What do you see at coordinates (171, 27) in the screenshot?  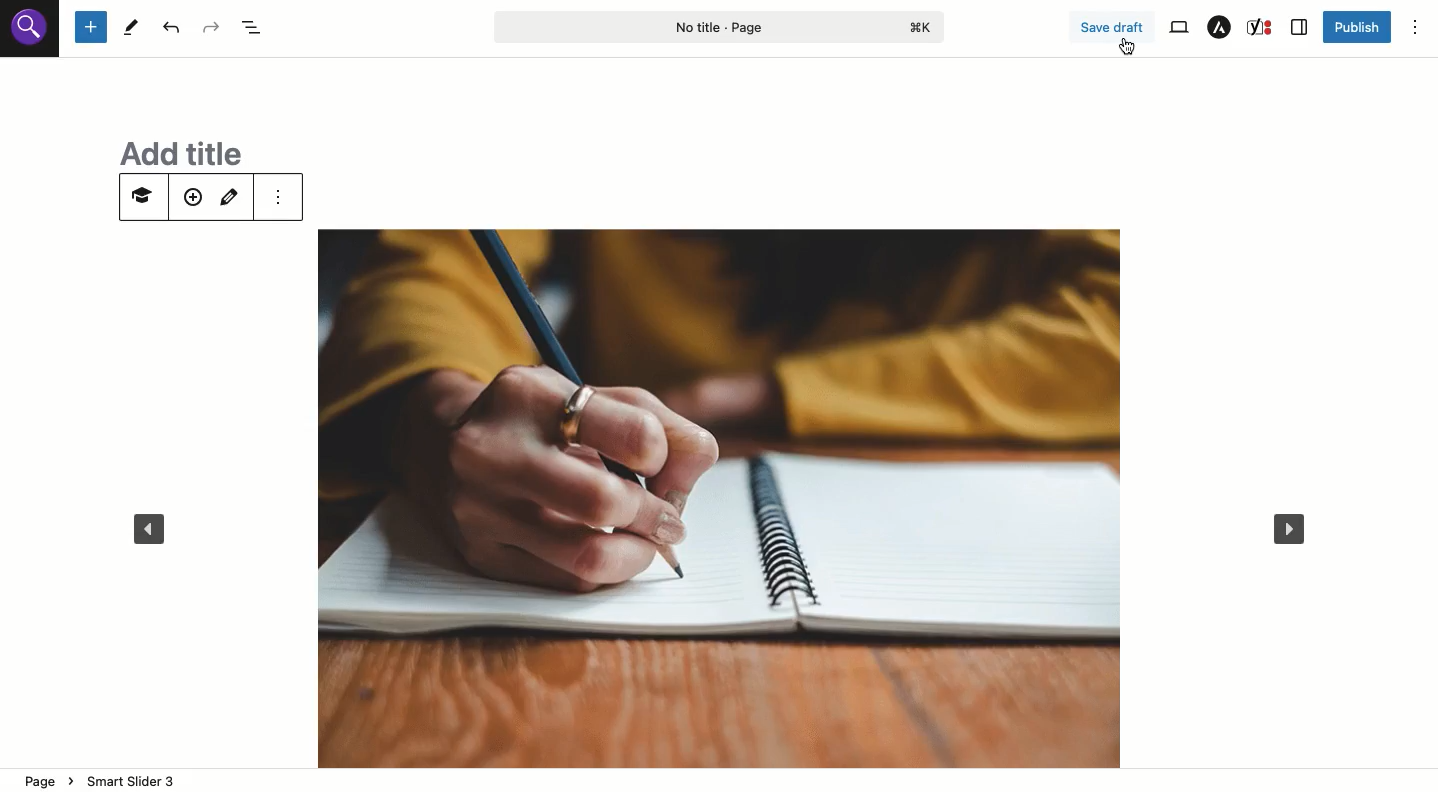 I see `Undo` at bounding box center [171, 27].